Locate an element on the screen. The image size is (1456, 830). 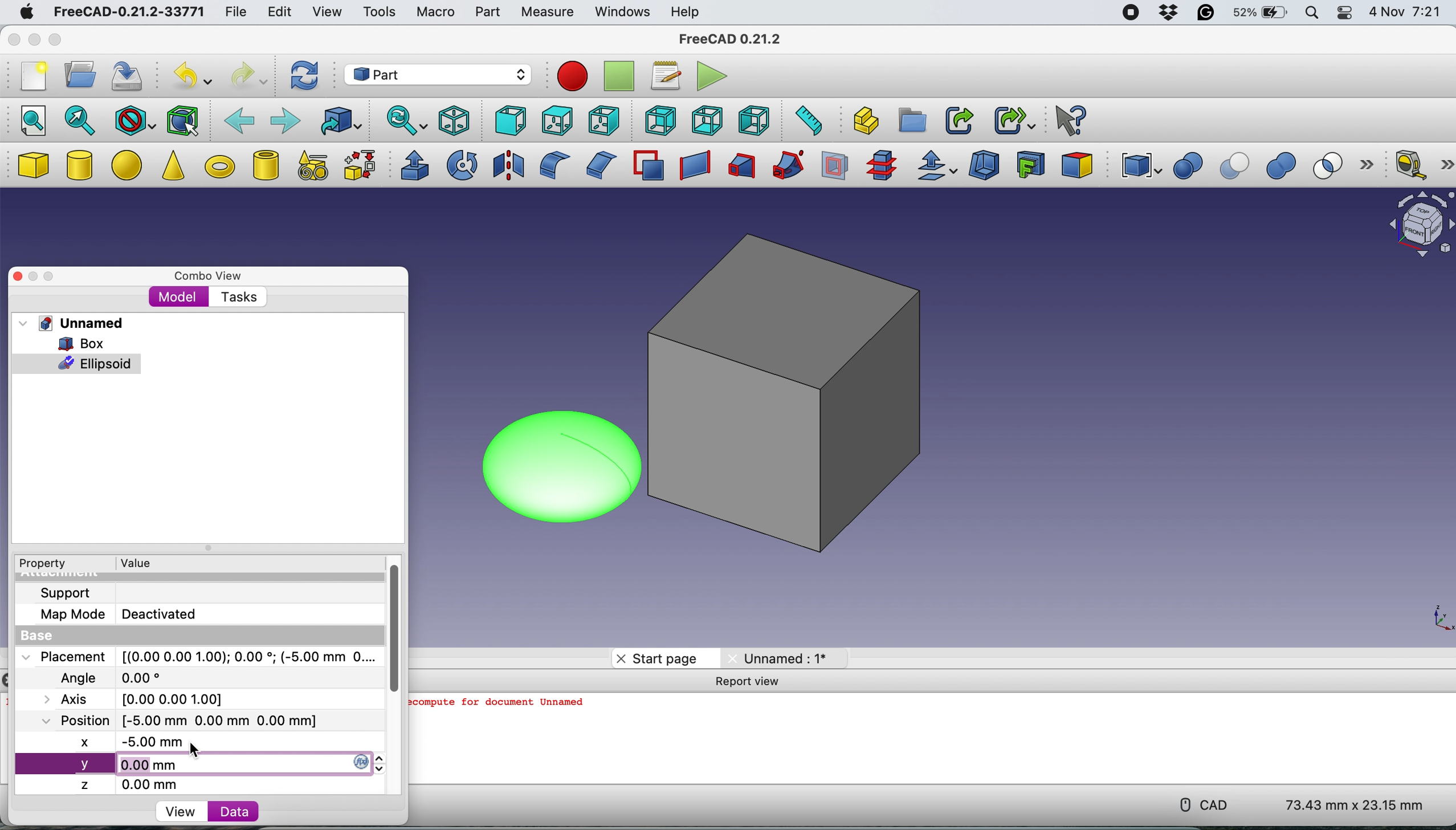
left is located at coordinates (756, 120).